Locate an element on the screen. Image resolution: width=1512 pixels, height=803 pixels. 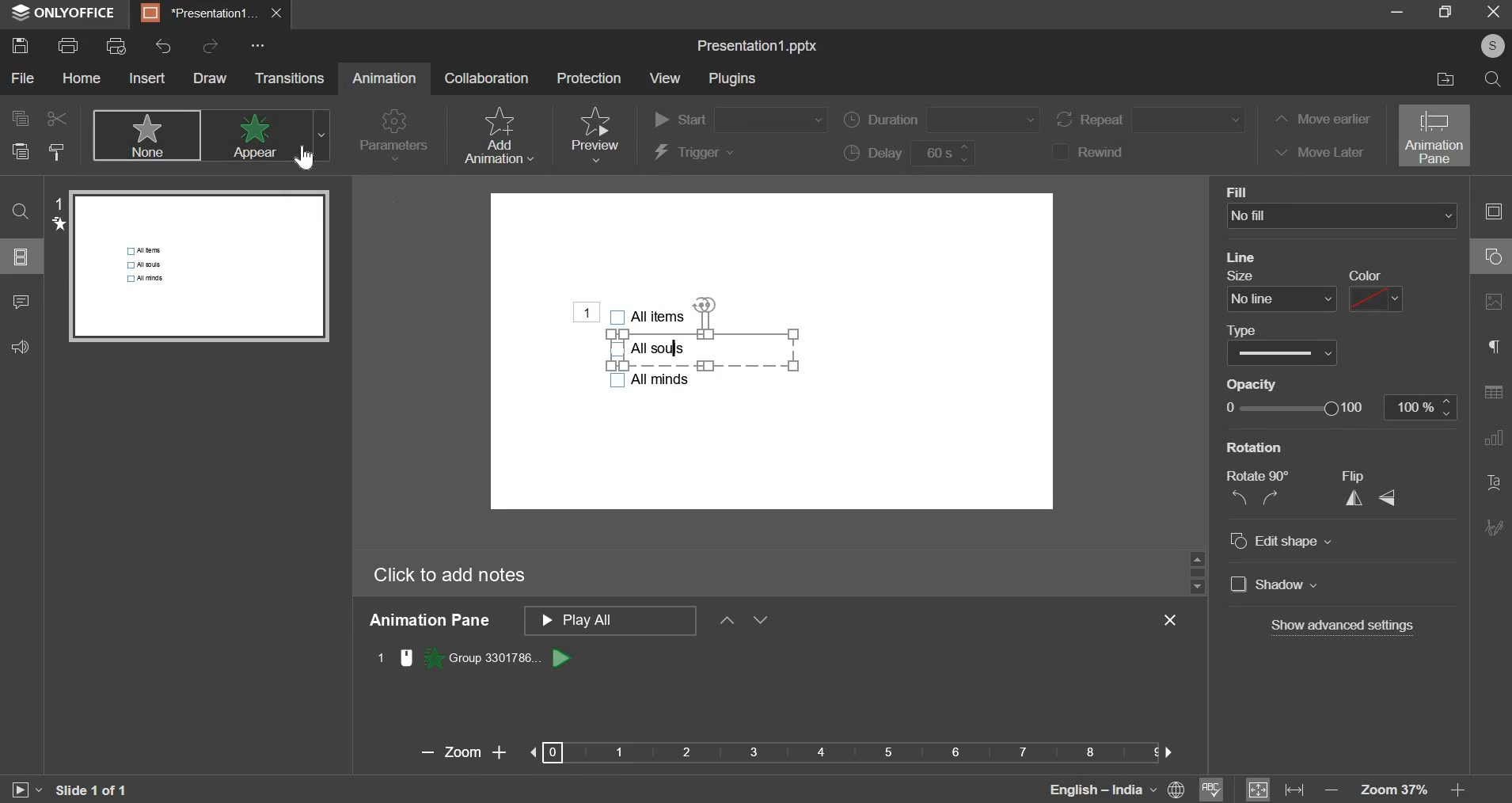
slider is located at coordinates (1196, 571).